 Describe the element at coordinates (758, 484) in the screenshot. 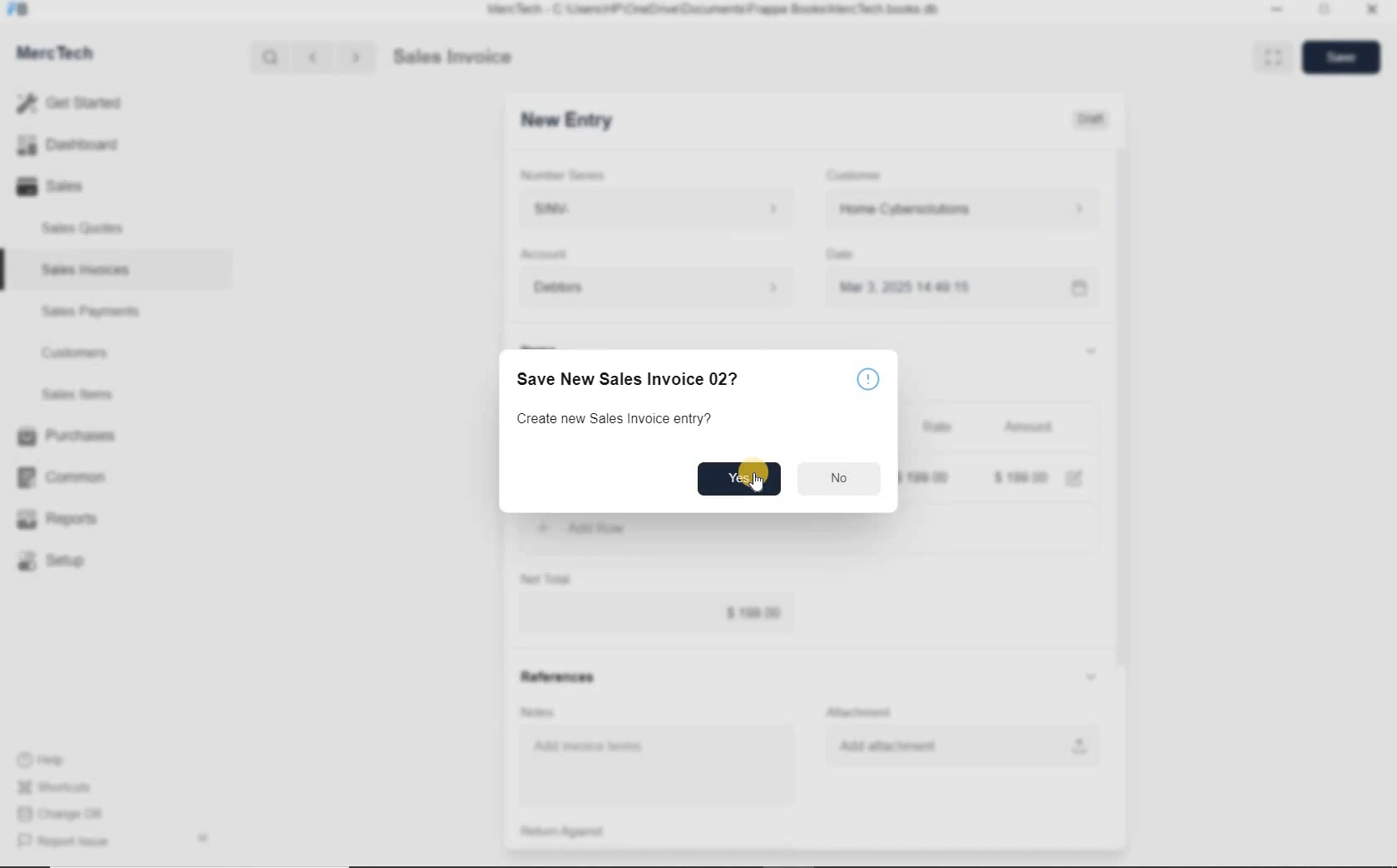

I see `cursor` at that location.